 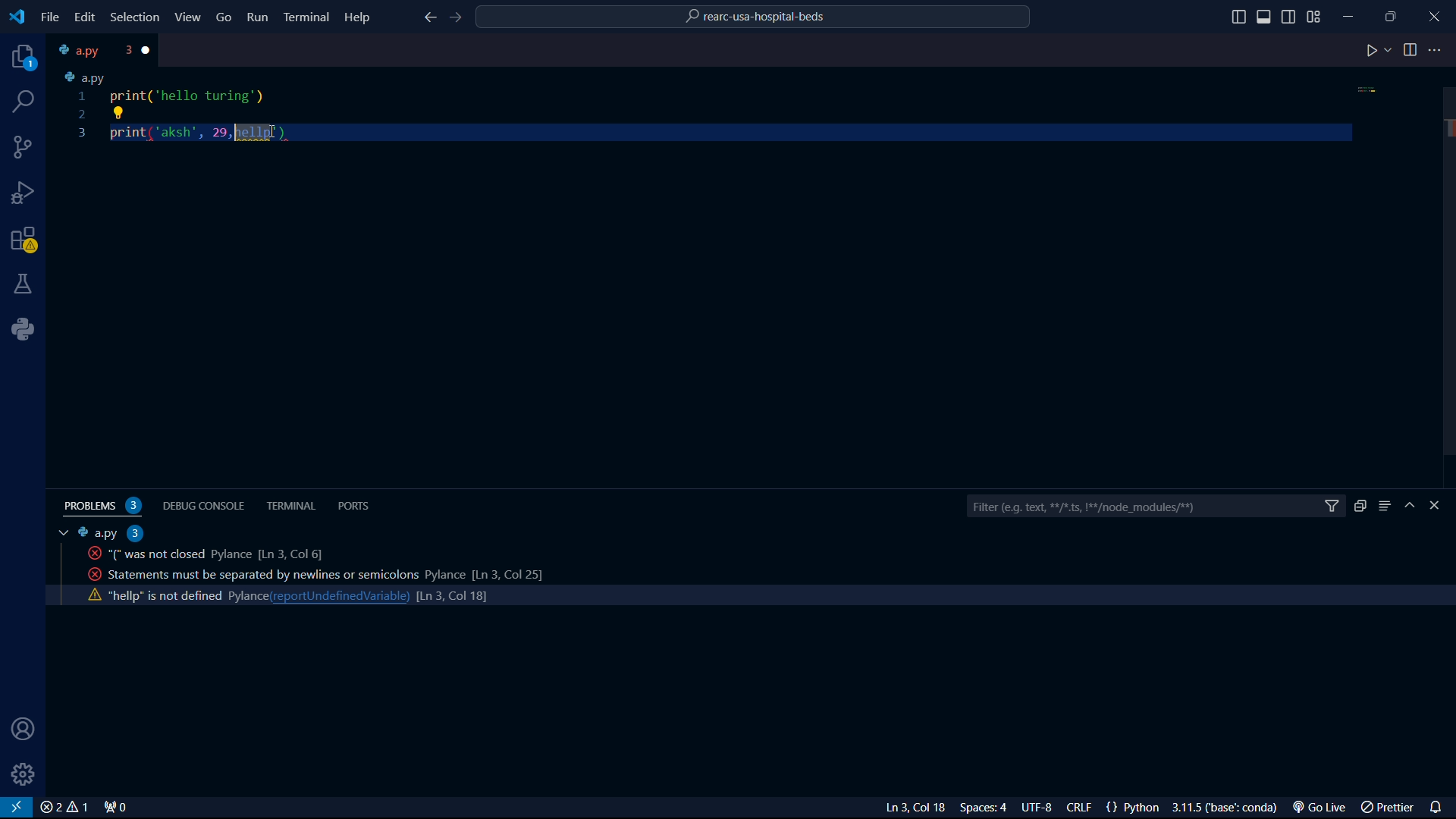 I want to click on Ln 3 Col 23, so click(x=897, y=808).